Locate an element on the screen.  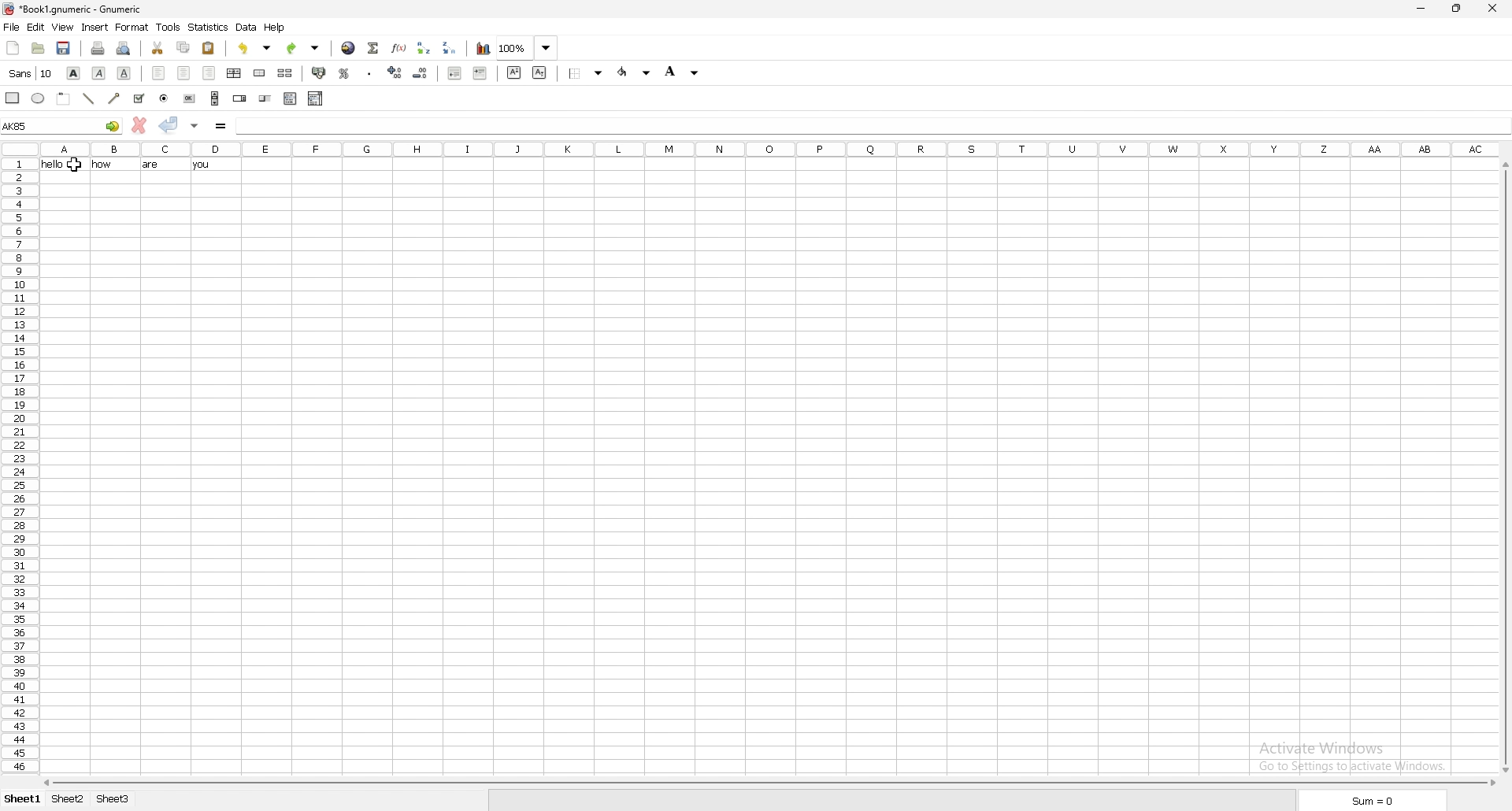
decrease indent is located at coordinates (455, 73).